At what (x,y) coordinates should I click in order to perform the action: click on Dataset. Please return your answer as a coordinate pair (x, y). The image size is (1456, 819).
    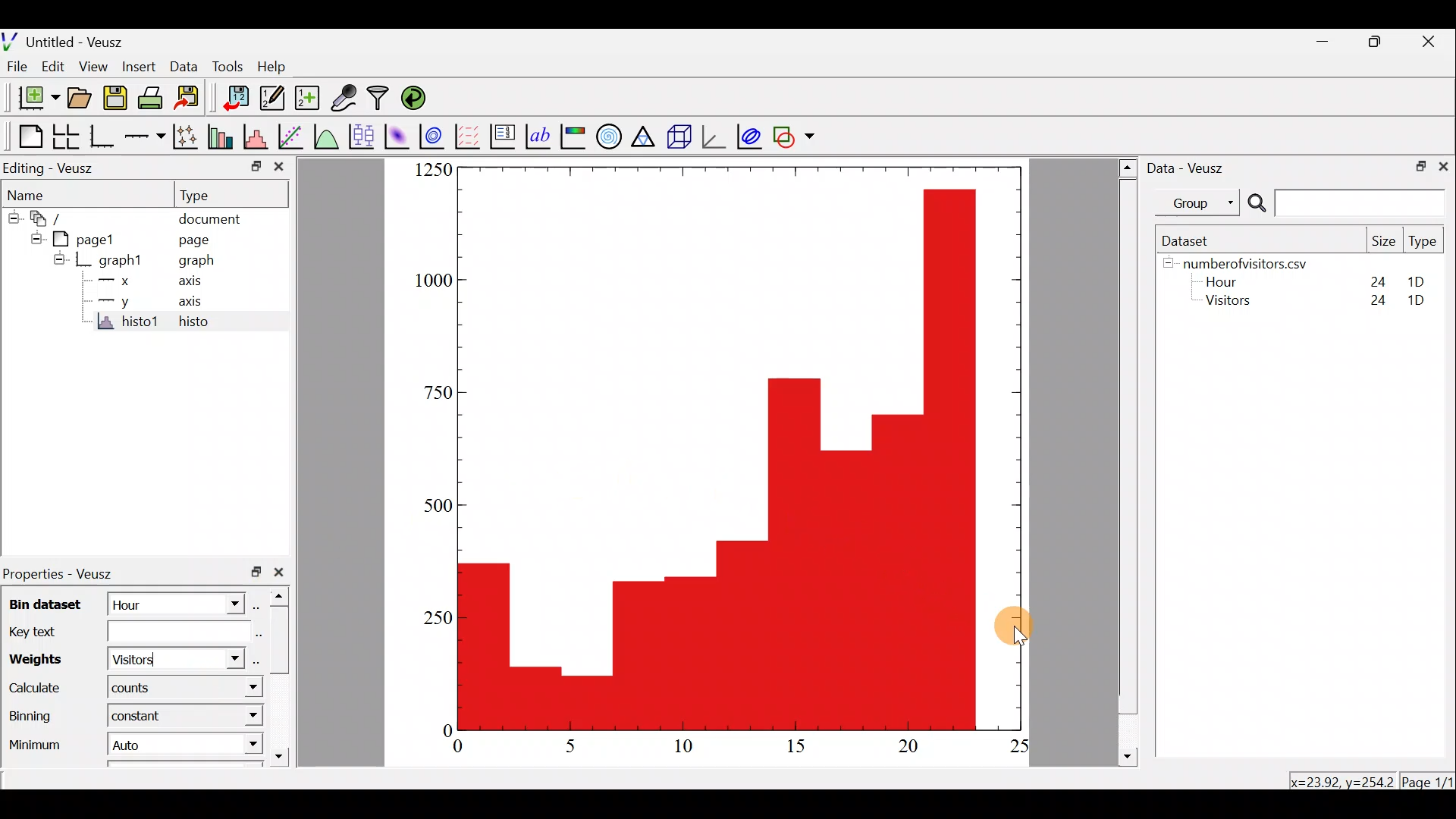
    Looking at the image, I should click on (1195, 240).